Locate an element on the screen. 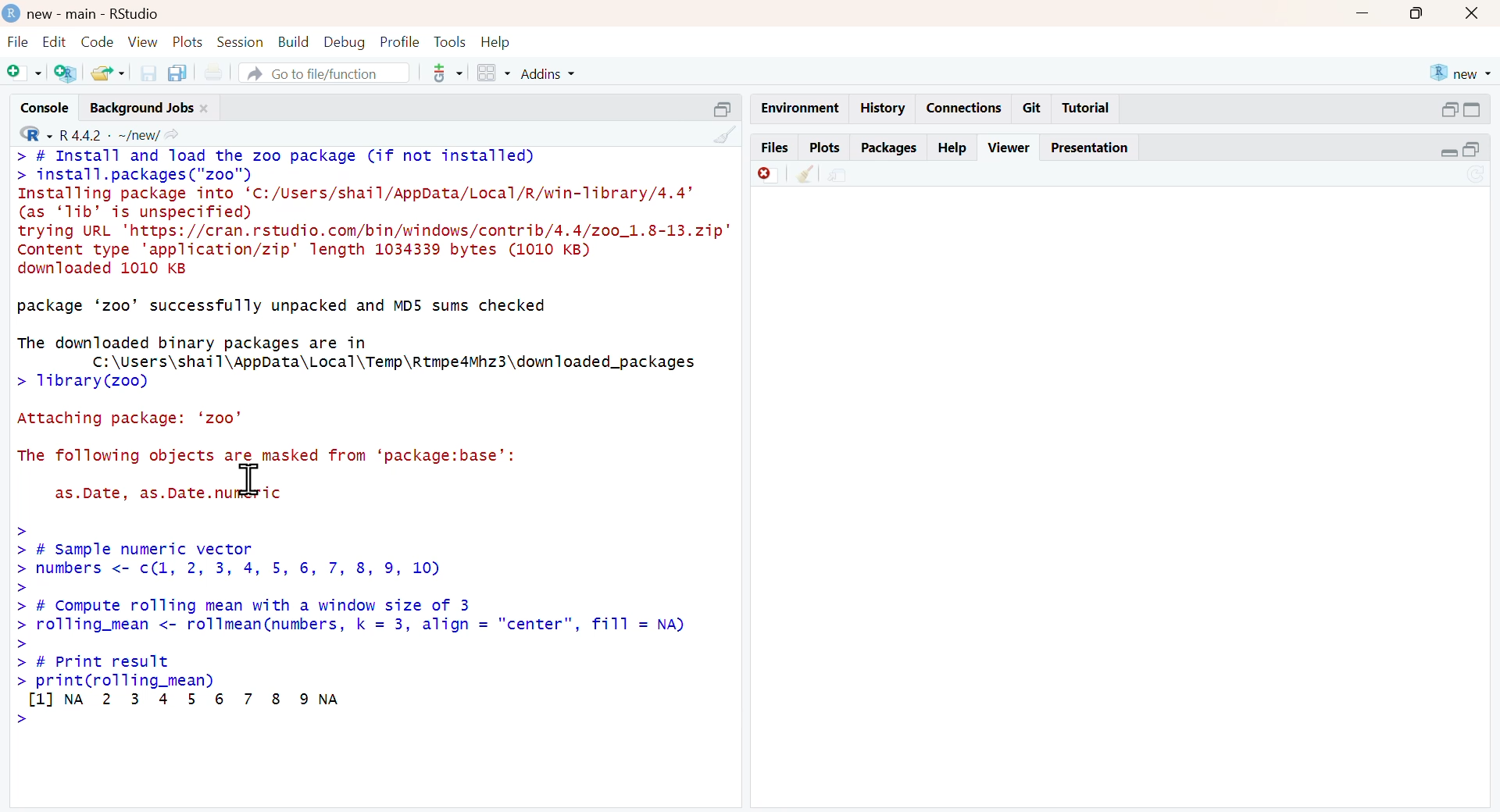 The height and width of the screenshot is (812, 1500). as.Date, as.Date.numeric is located at coordinates (169, 493).